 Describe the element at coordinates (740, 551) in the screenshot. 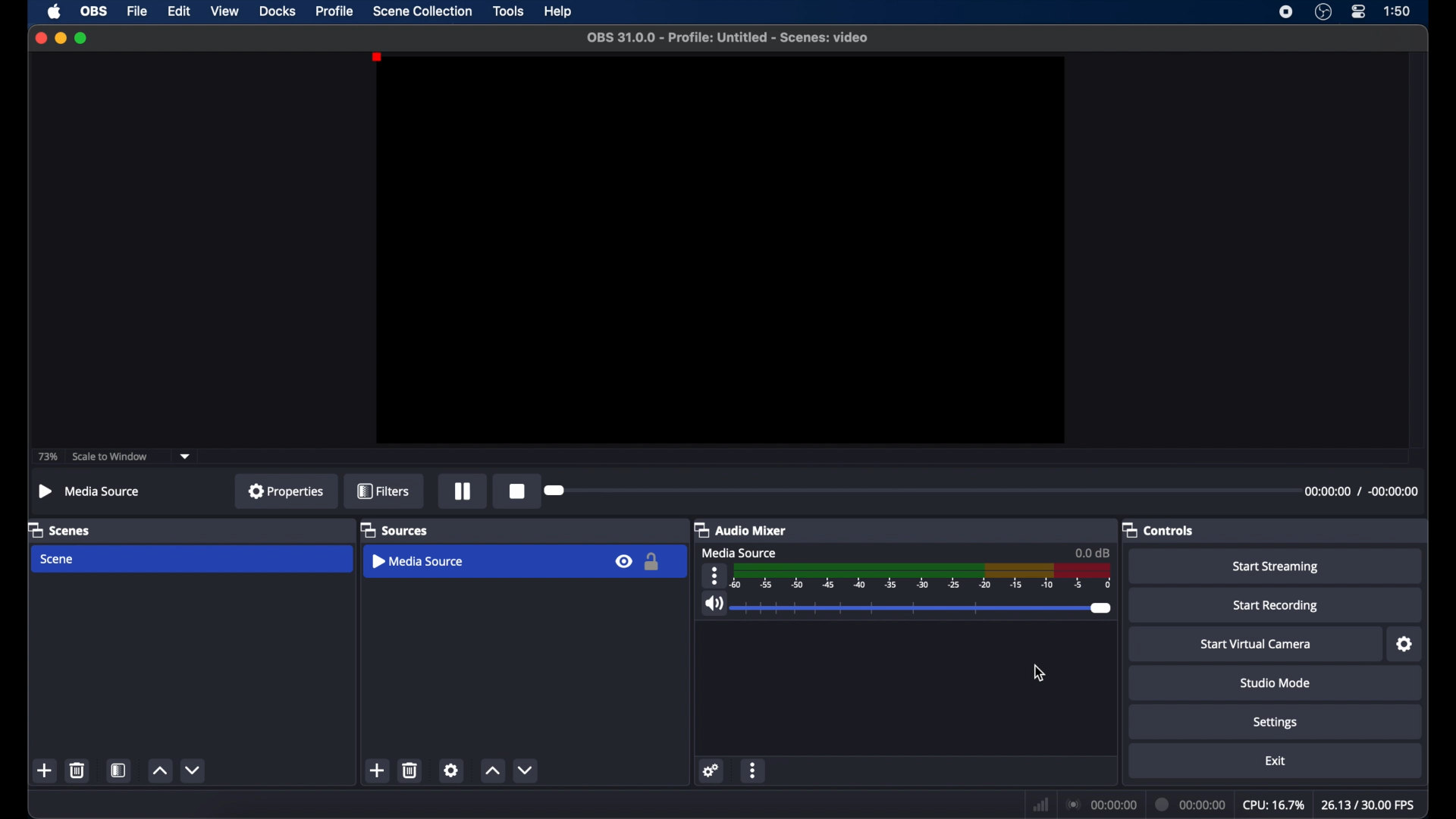

I see `media source` at that location.